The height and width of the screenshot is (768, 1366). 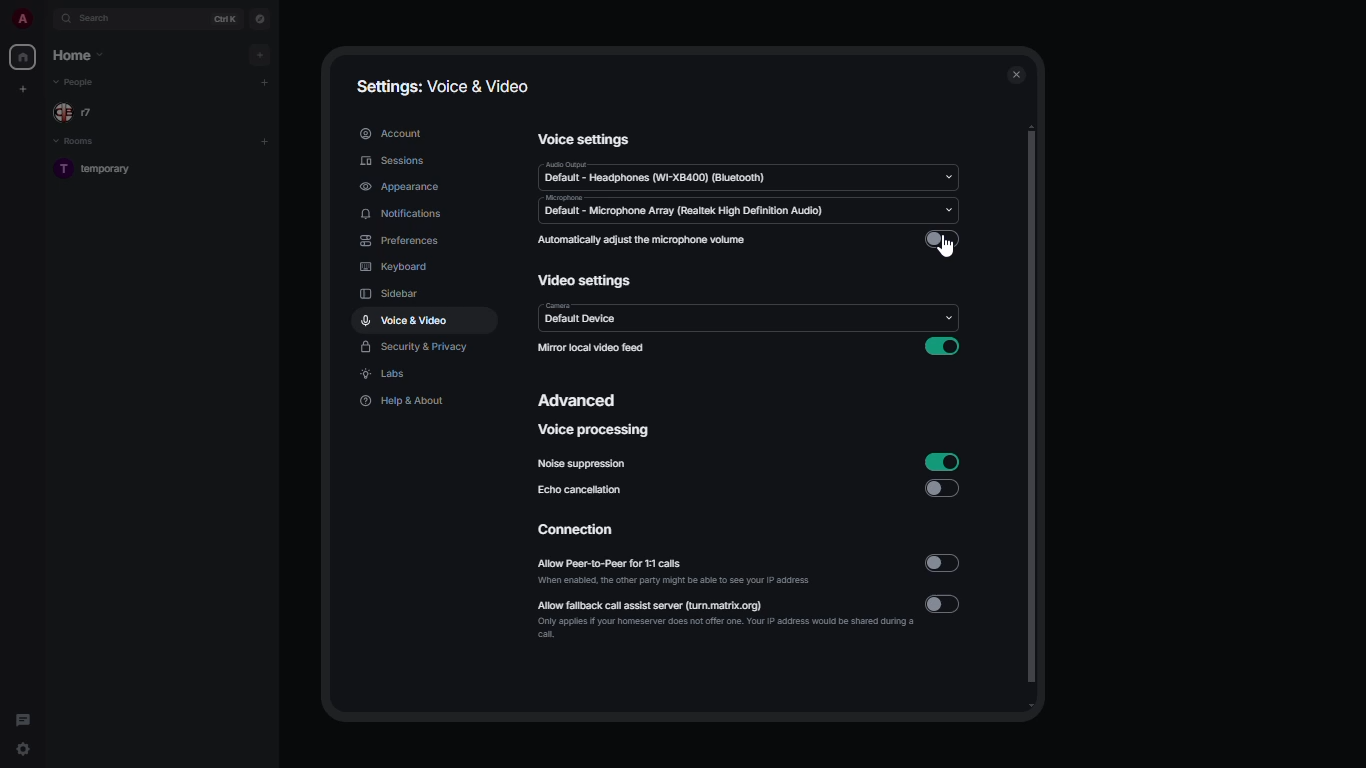 What do you see at coordinates (946, 604) in the screenshot?
I see `disabled` at bounding box center [946, 604].